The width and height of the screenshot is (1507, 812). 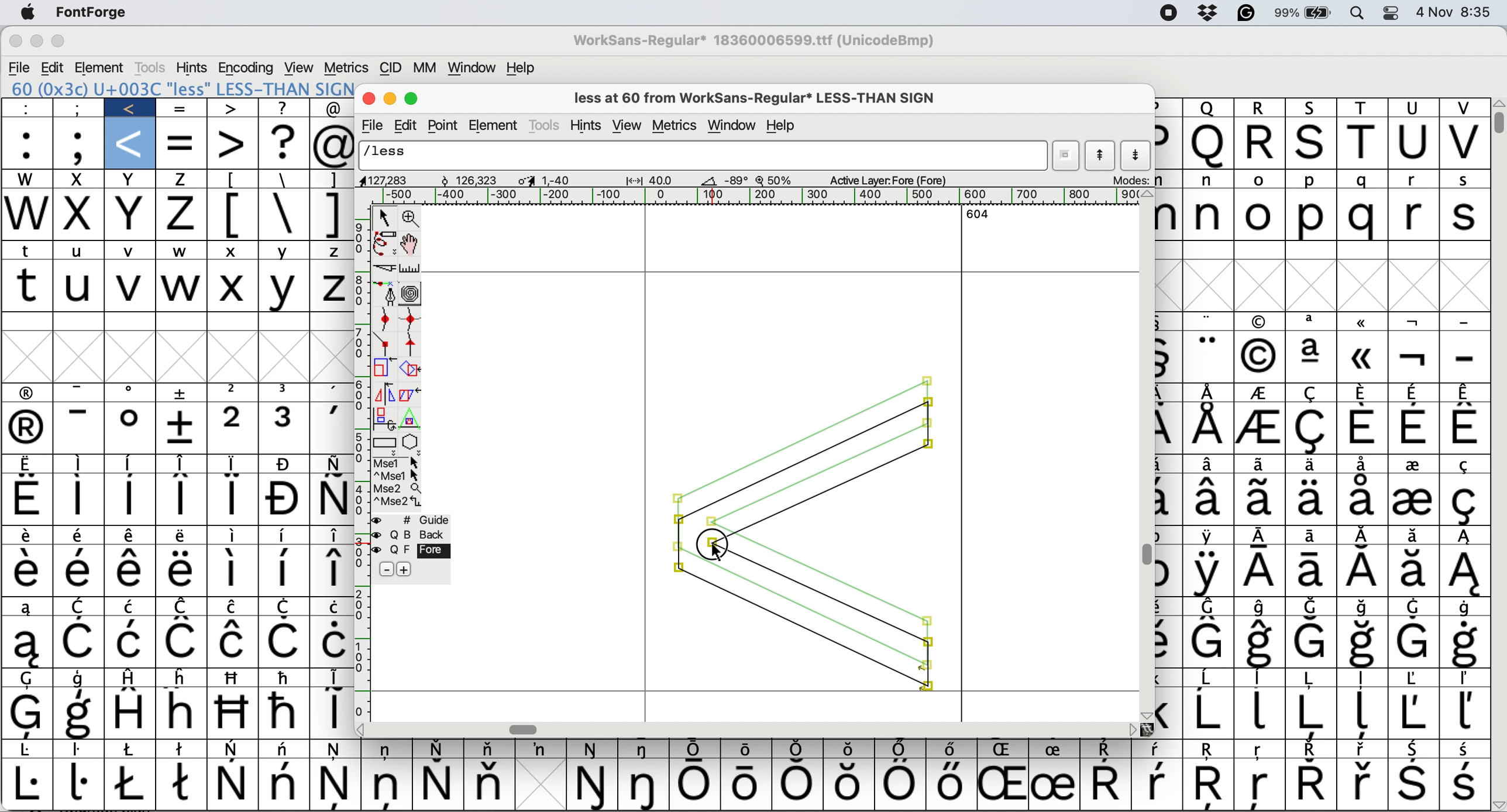 I want to click on hints, so click(x=586, y=125).